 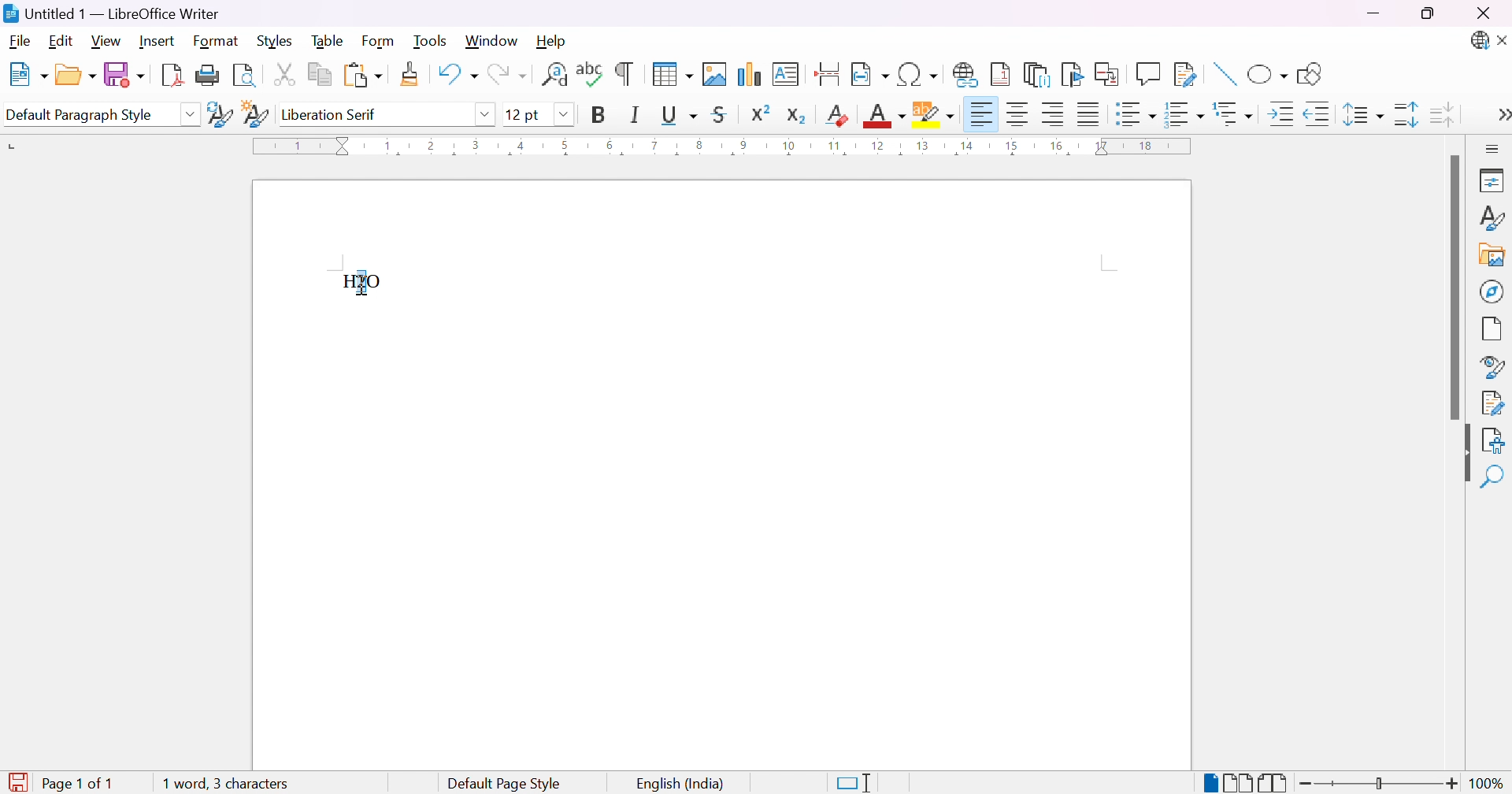 I want to click on Format, so click(x=217, y=42).